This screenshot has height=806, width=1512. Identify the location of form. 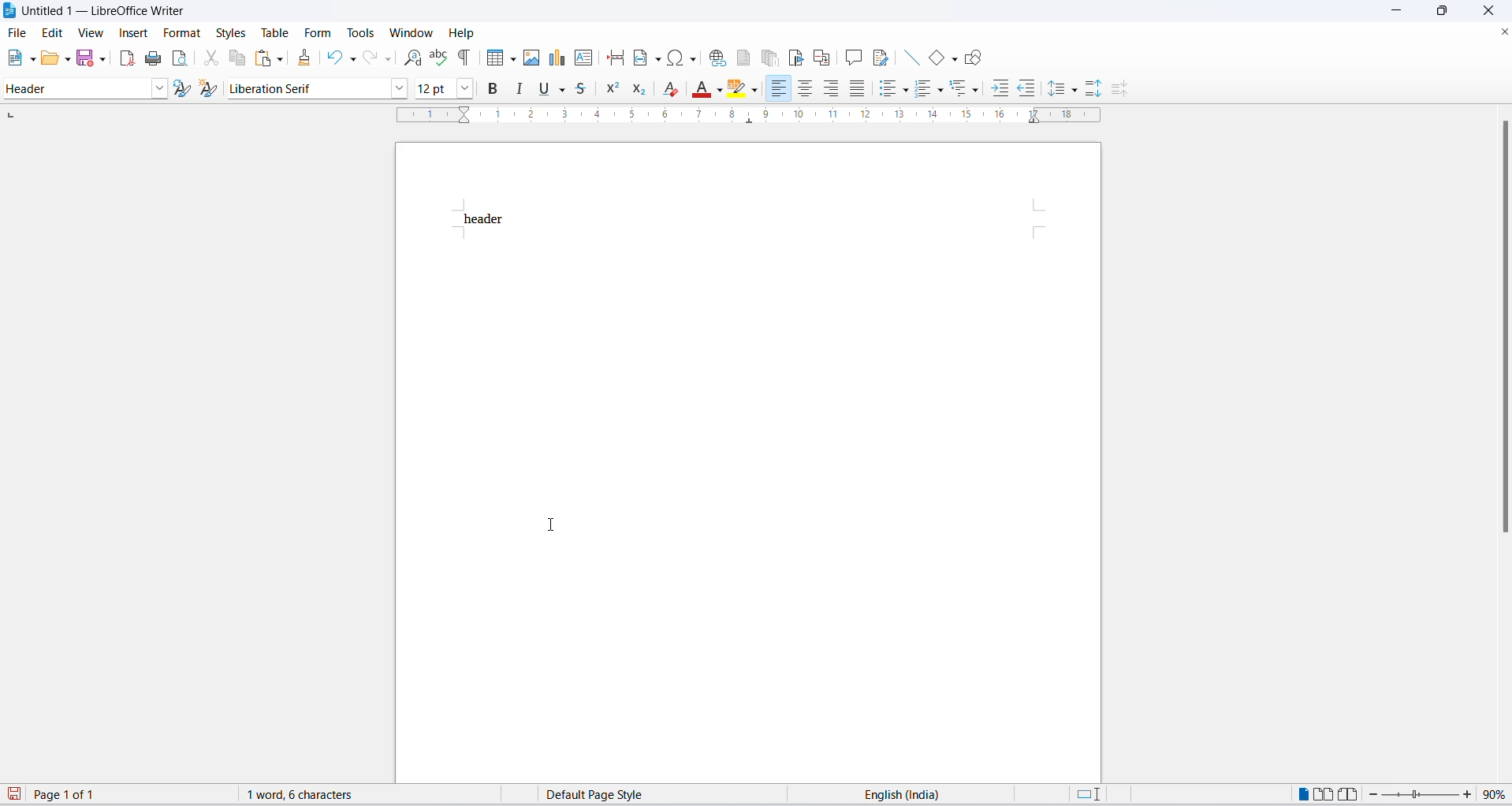
(317, 33).